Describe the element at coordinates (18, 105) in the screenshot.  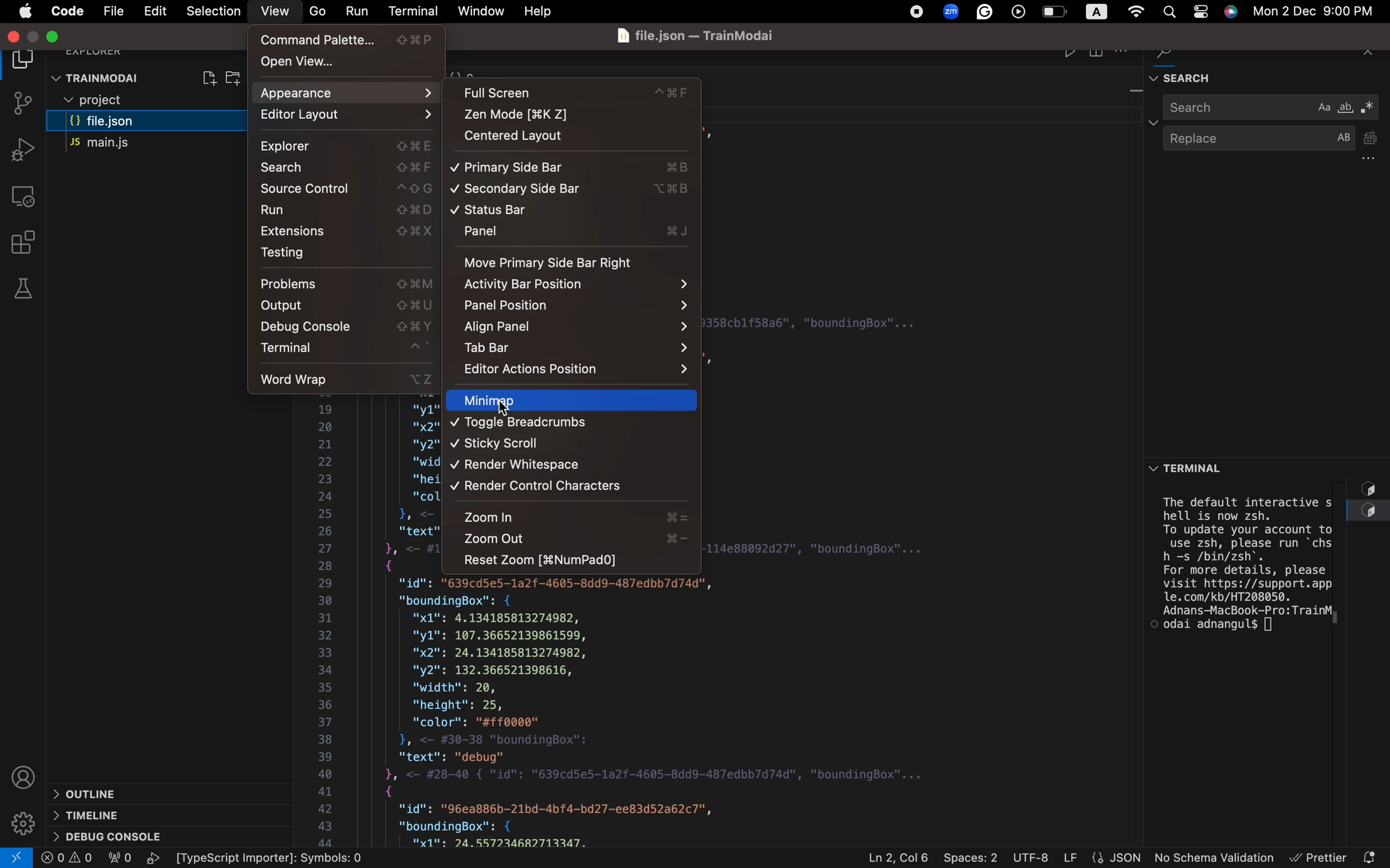
I see `git` at that location.